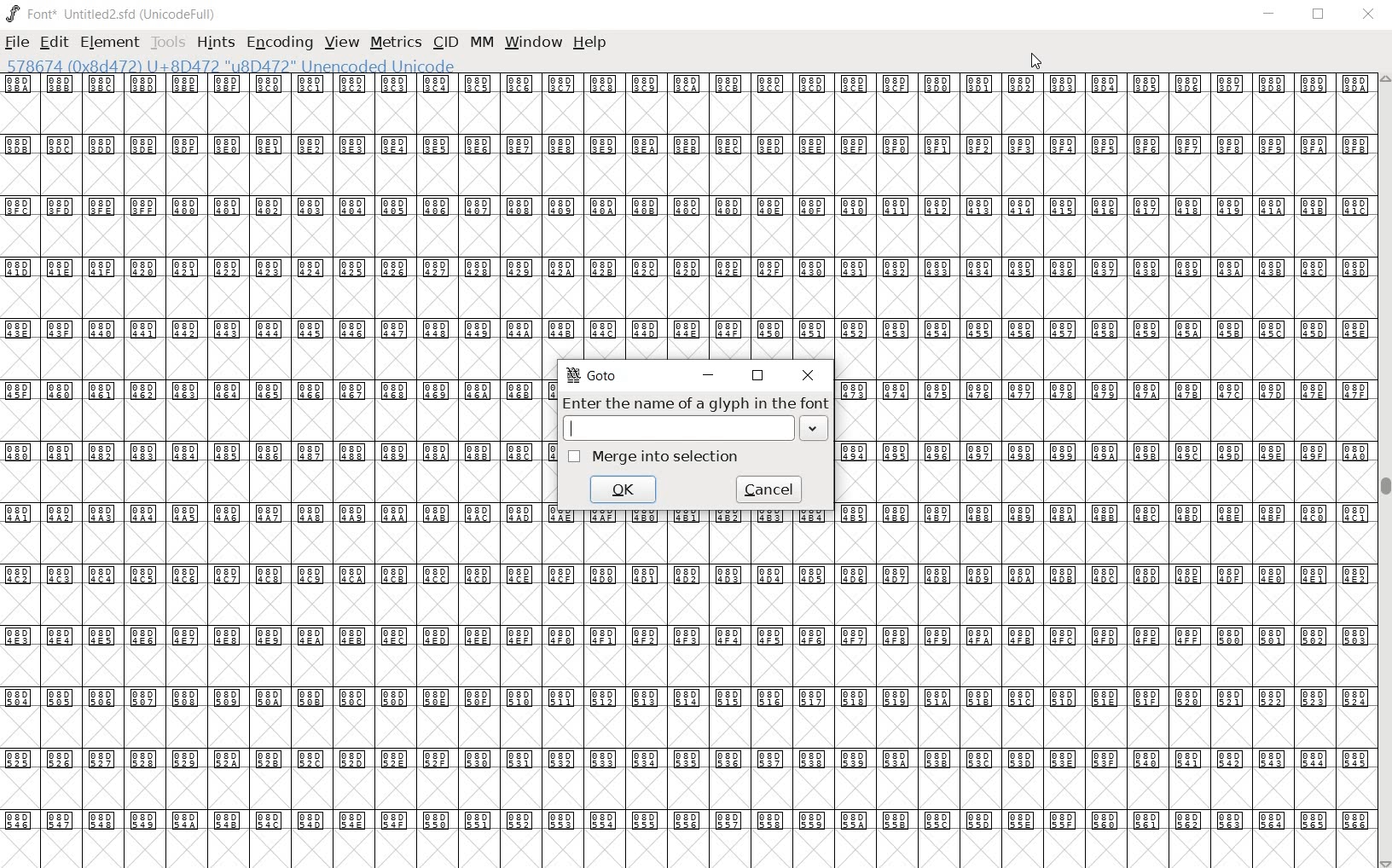 The width and height of the screenshot is (1392, 868). Describe the element at coordinates (109, 42) in the screenshot. I see `element` at that location.